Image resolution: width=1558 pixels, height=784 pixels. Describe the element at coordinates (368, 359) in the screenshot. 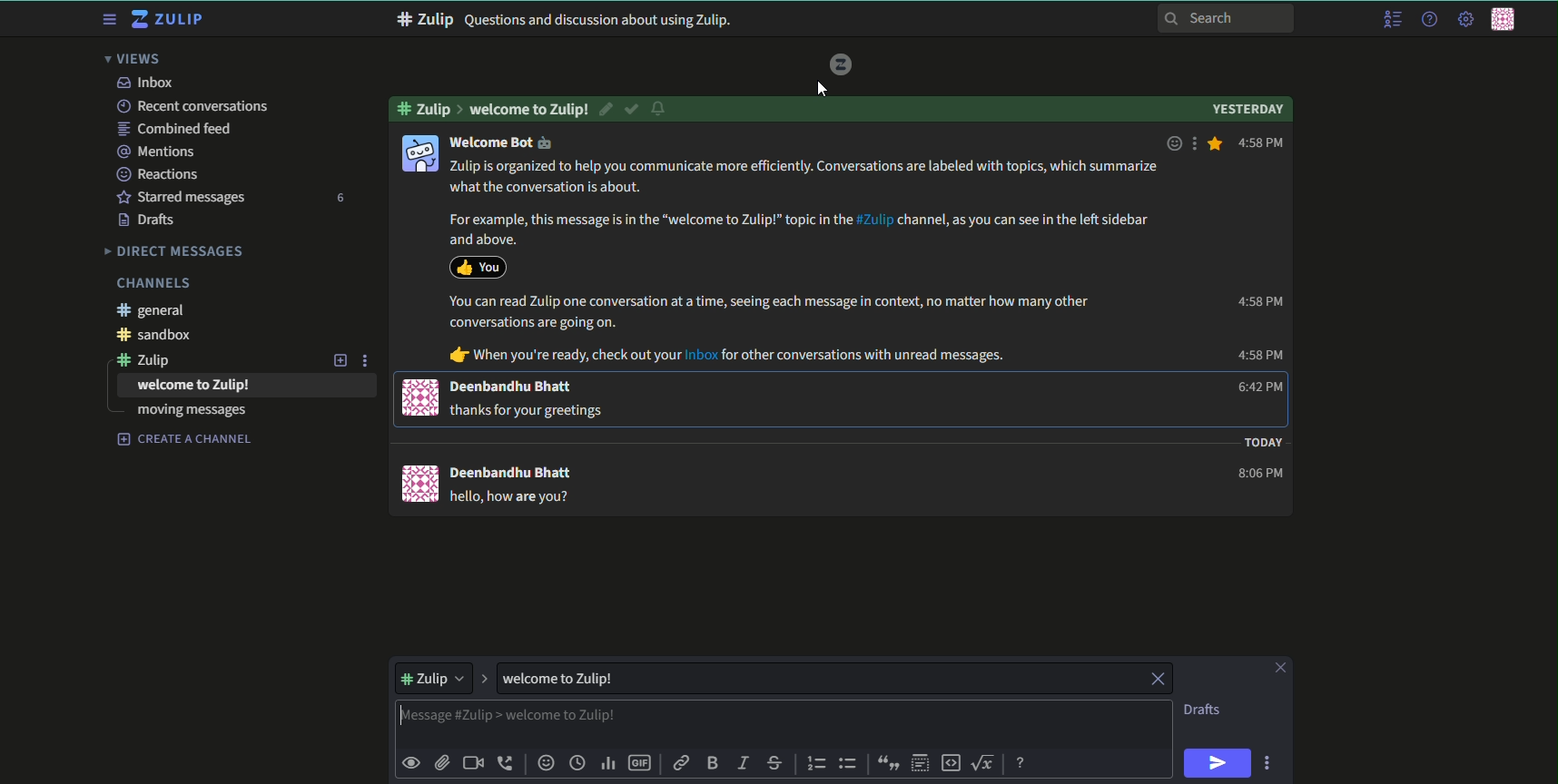

I see `options` at that location.